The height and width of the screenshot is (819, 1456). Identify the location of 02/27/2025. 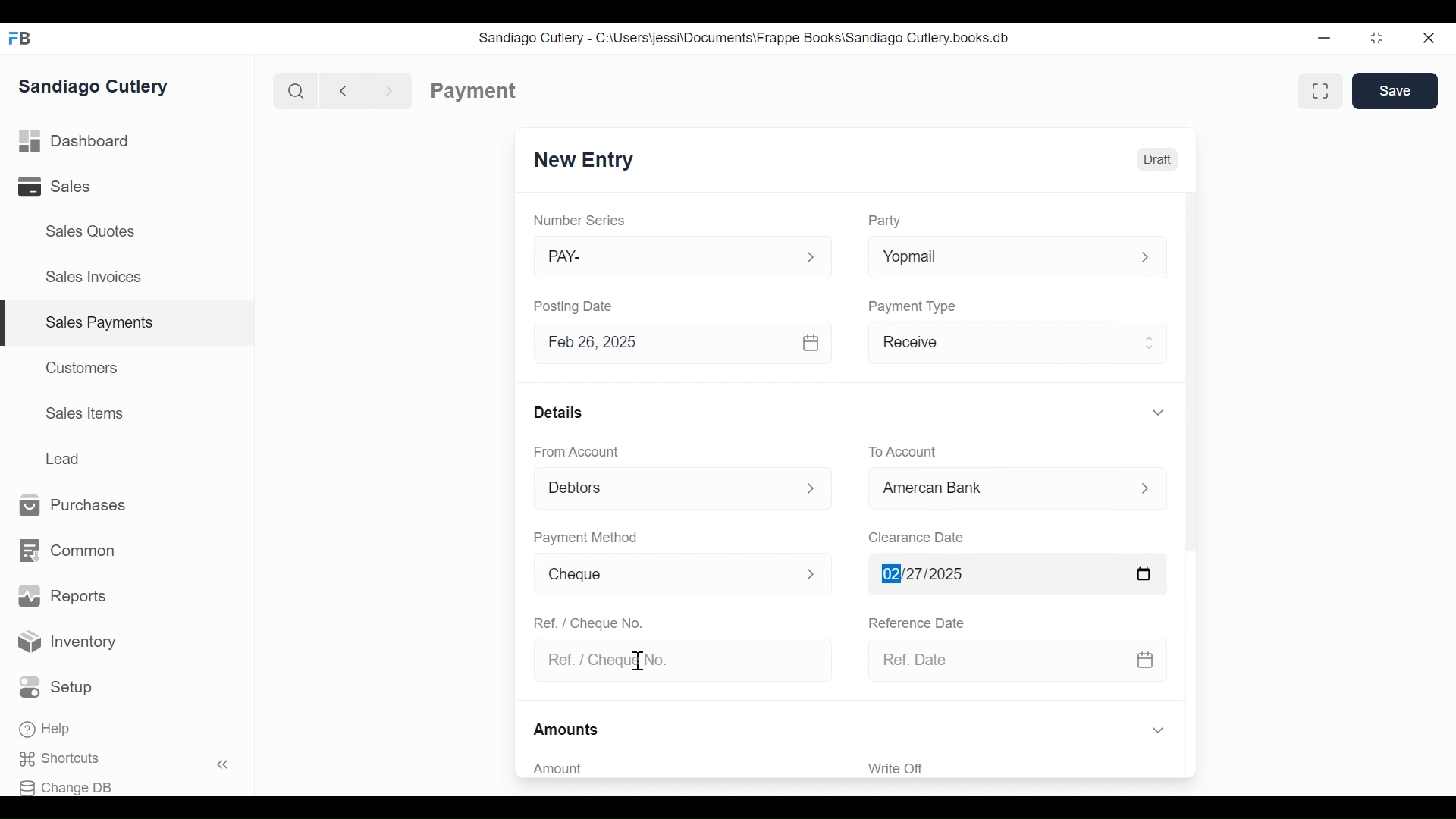
(993, 574).